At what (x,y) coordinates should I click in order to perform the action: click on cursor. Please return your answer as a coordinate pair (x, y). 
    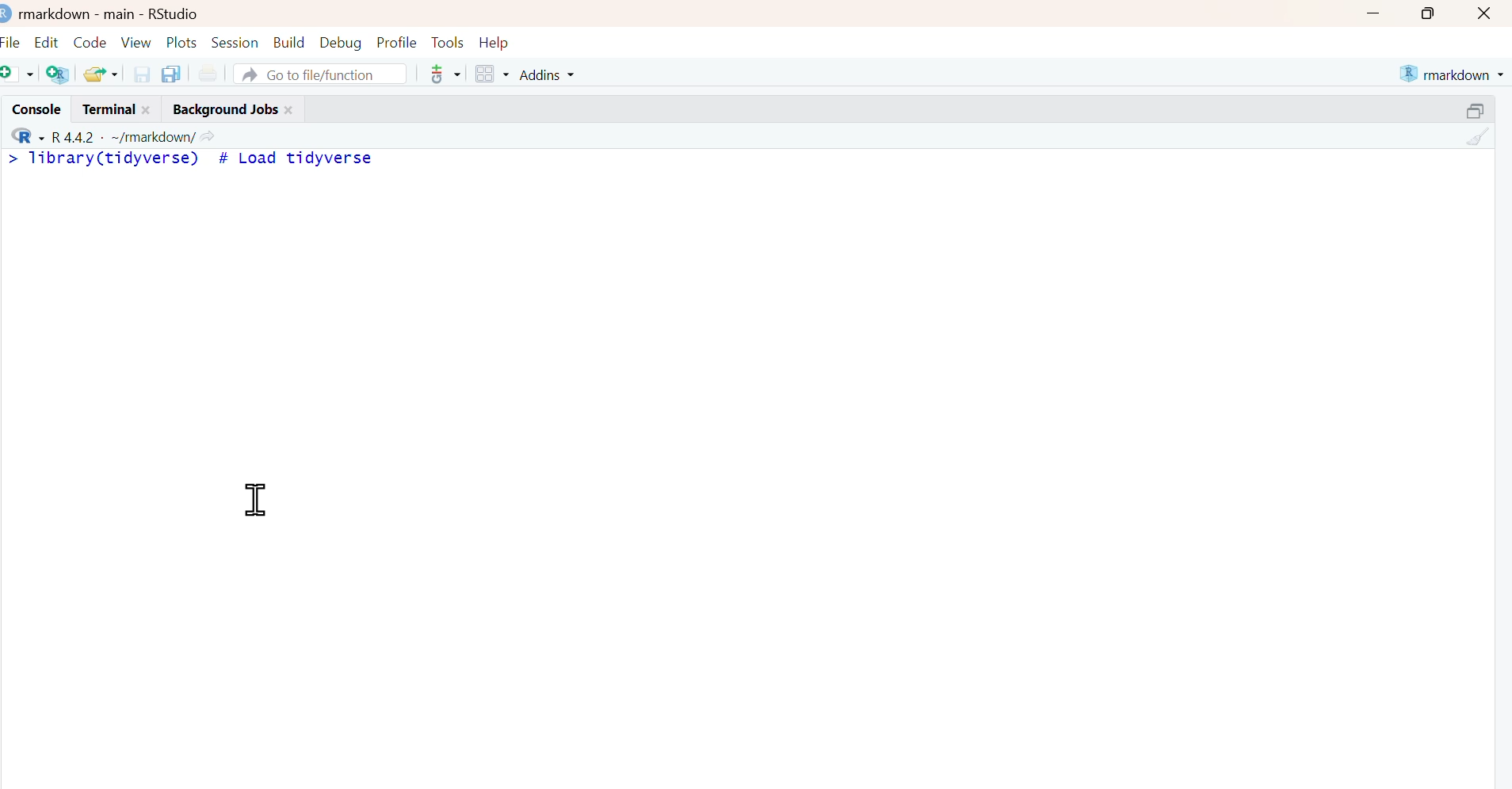
    Looking at the image, I should click on (257, 500).